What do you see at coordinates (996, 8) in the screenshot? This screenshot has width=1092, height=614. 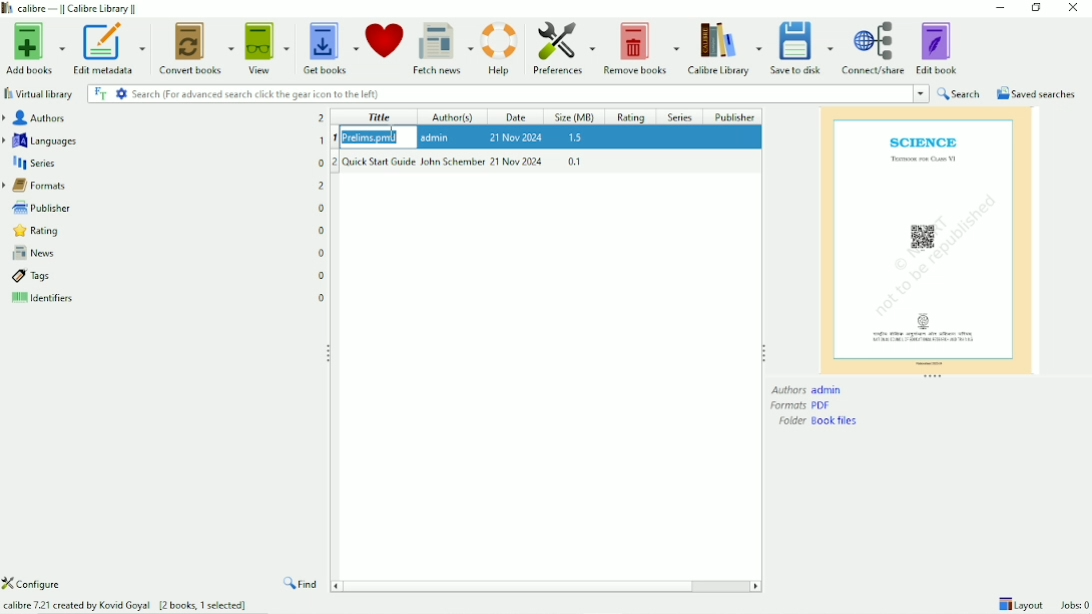 I see `Minimize` at bounding box center [996, 8].